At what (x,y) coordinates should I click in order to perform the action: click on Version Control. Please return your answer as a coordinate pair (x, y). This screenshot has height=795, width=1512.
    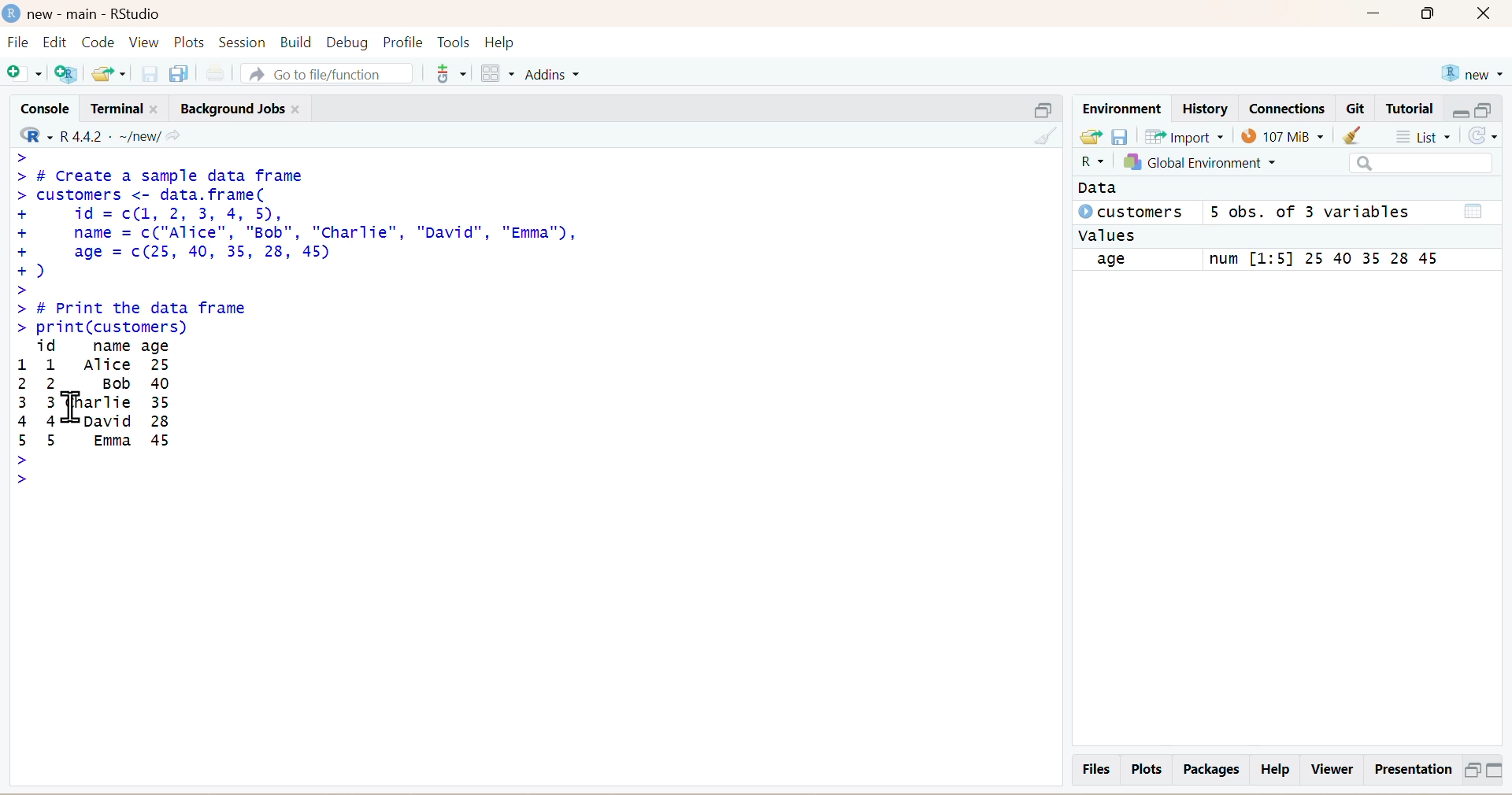
    Looking at the image, I should click on (450, 71).